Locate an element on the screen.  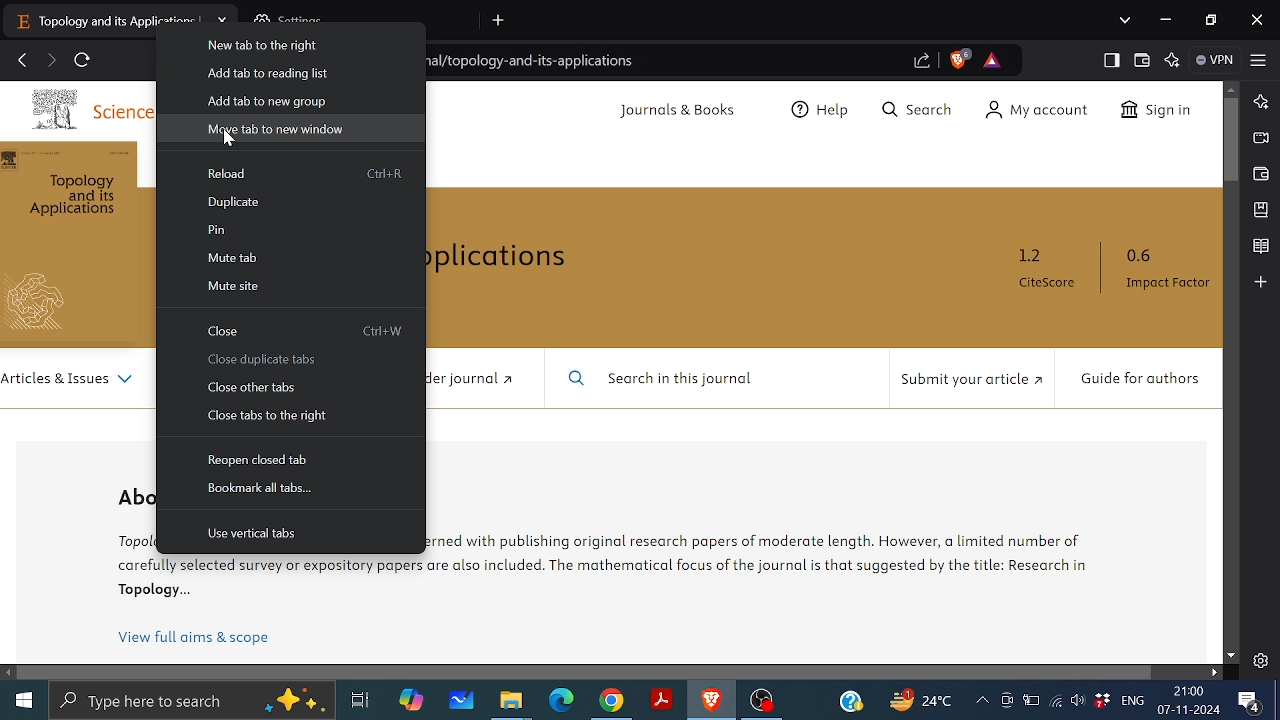
Reload is located at coordinates (84, 61).